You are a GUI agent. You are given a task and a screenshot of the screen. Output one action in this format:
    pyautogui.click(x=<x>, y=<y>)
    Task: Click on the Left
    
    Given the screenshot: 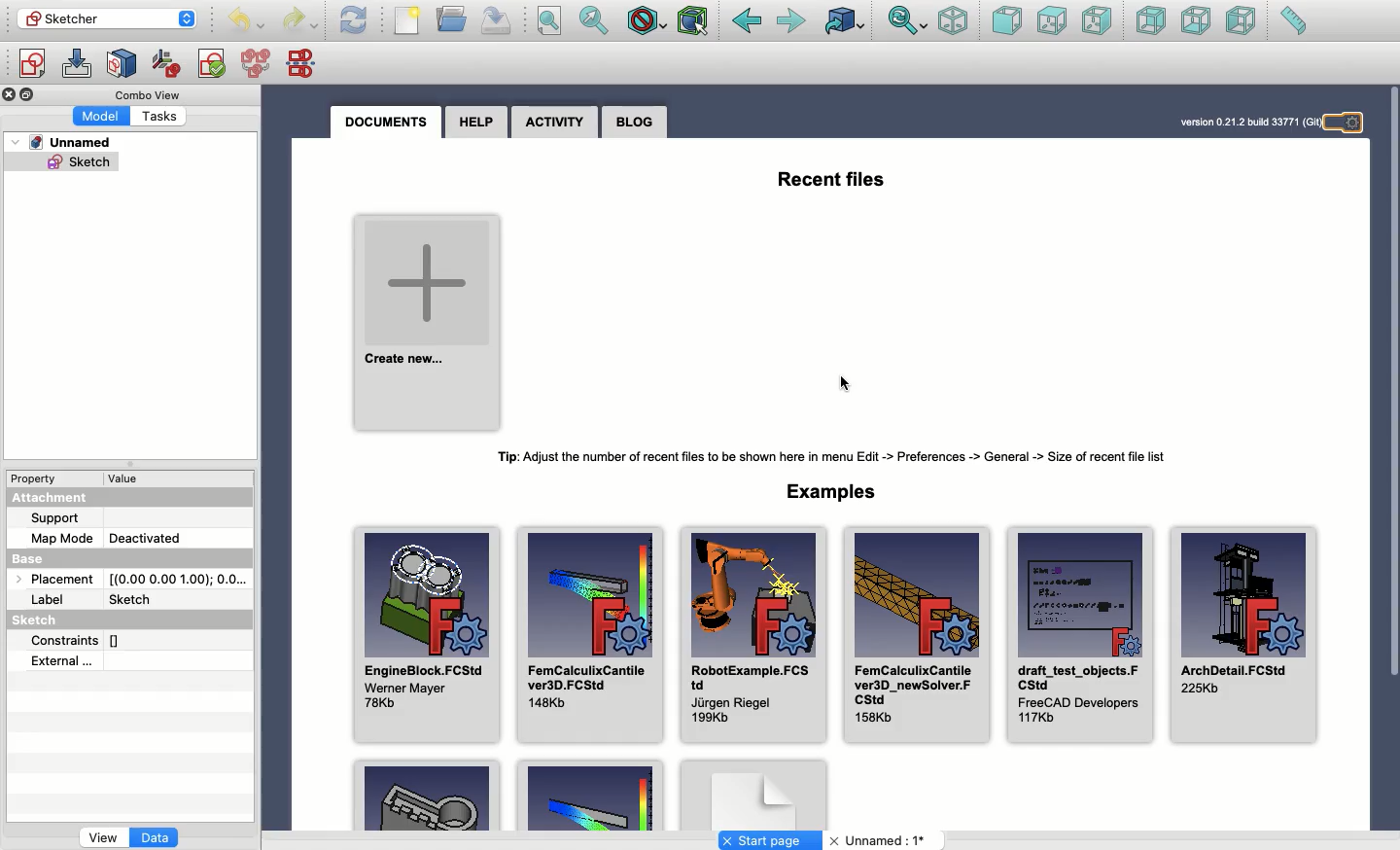 What is the action you would take?
    pyautogui.click(x=1242, y=23)
    